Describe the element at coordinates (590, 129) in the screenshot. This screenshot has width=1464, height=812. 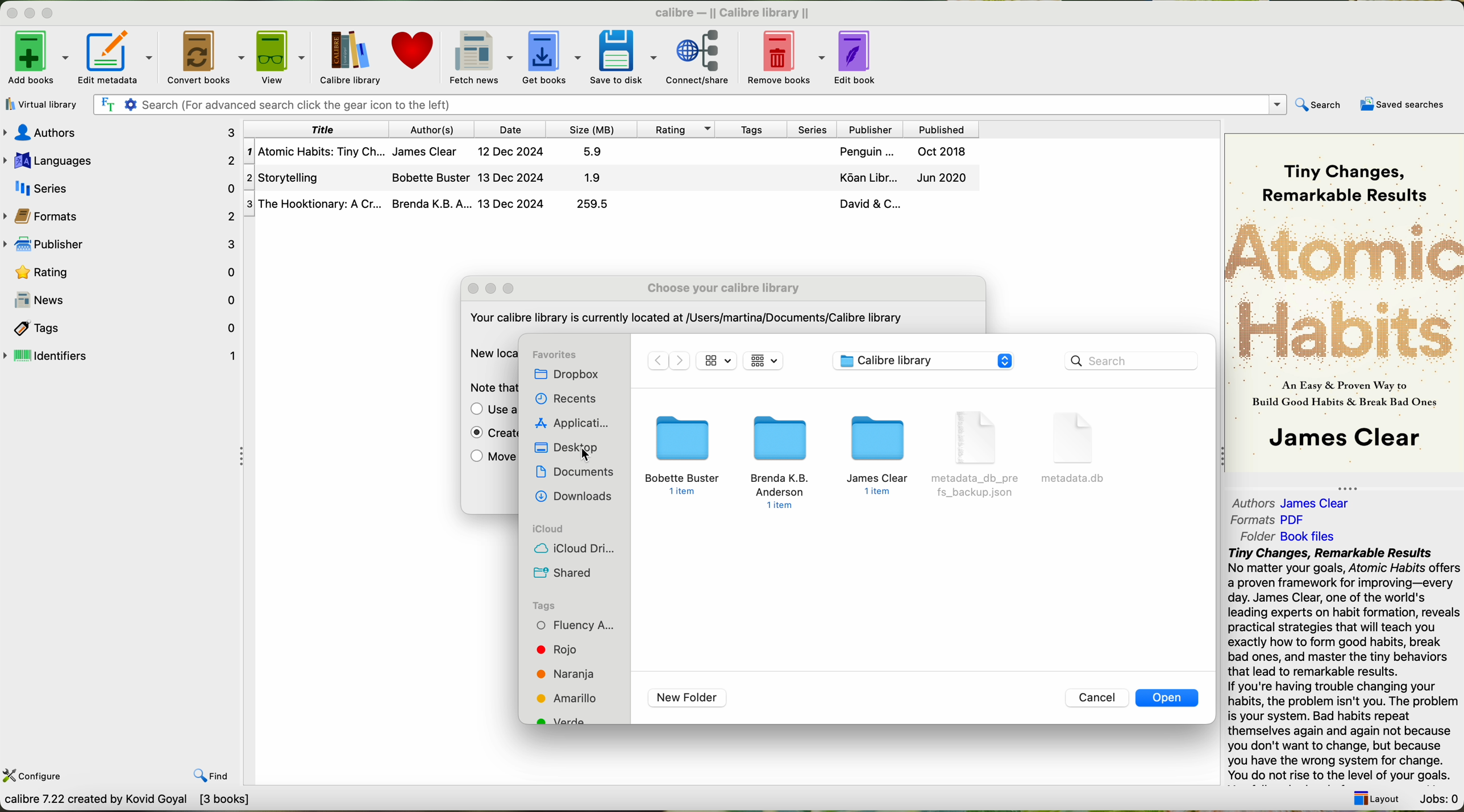
I see `size` at that location.